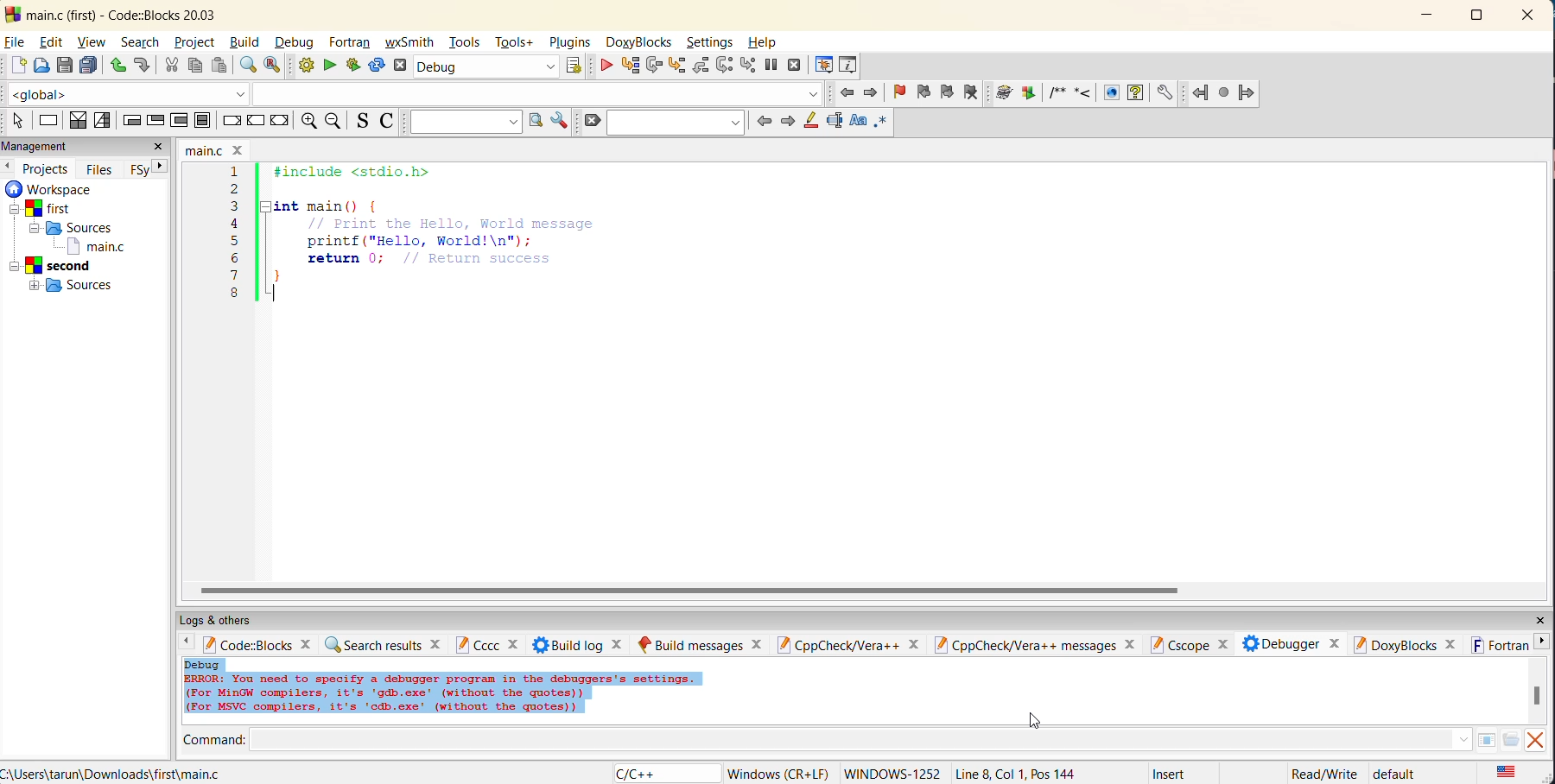  Describe the element at coordinates (467, 41) in the screenshot. I see `tools` at that location.